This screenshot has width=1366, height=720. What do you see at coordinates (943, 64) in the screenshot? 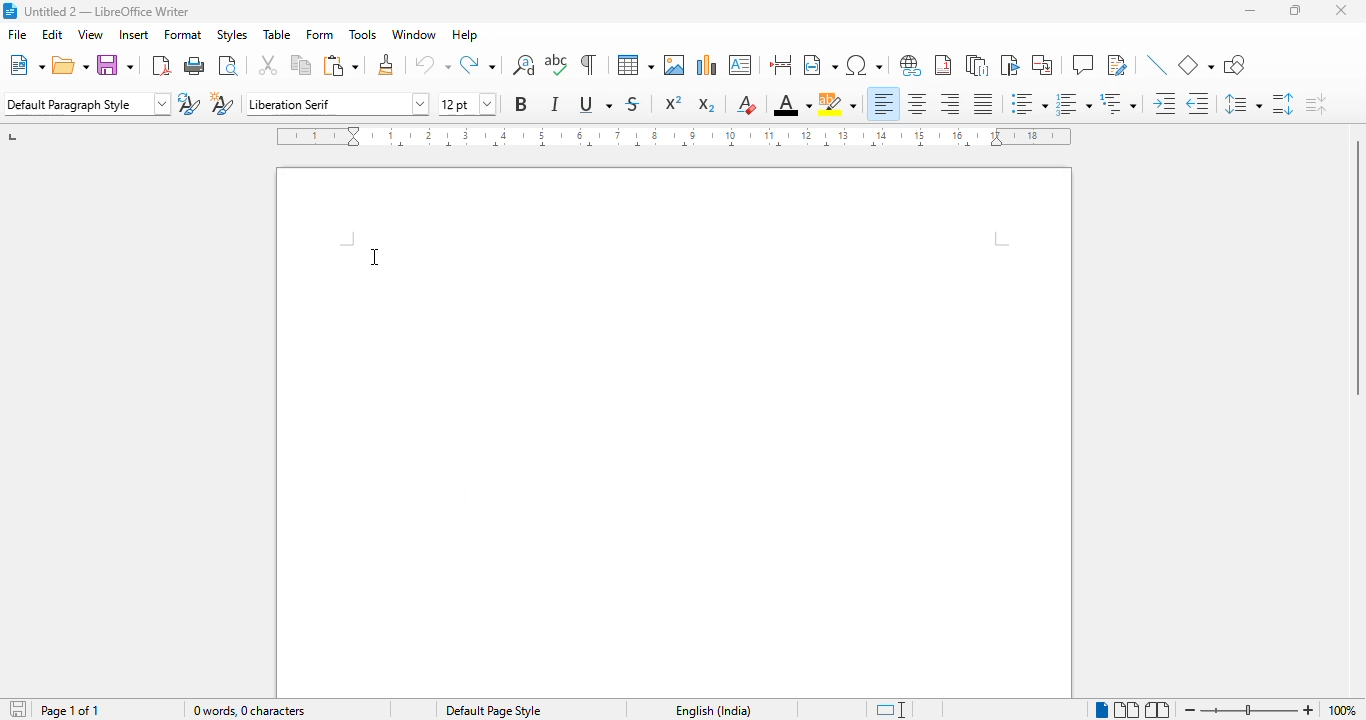
I see `insert footnote` at bounding box center [943, 64].